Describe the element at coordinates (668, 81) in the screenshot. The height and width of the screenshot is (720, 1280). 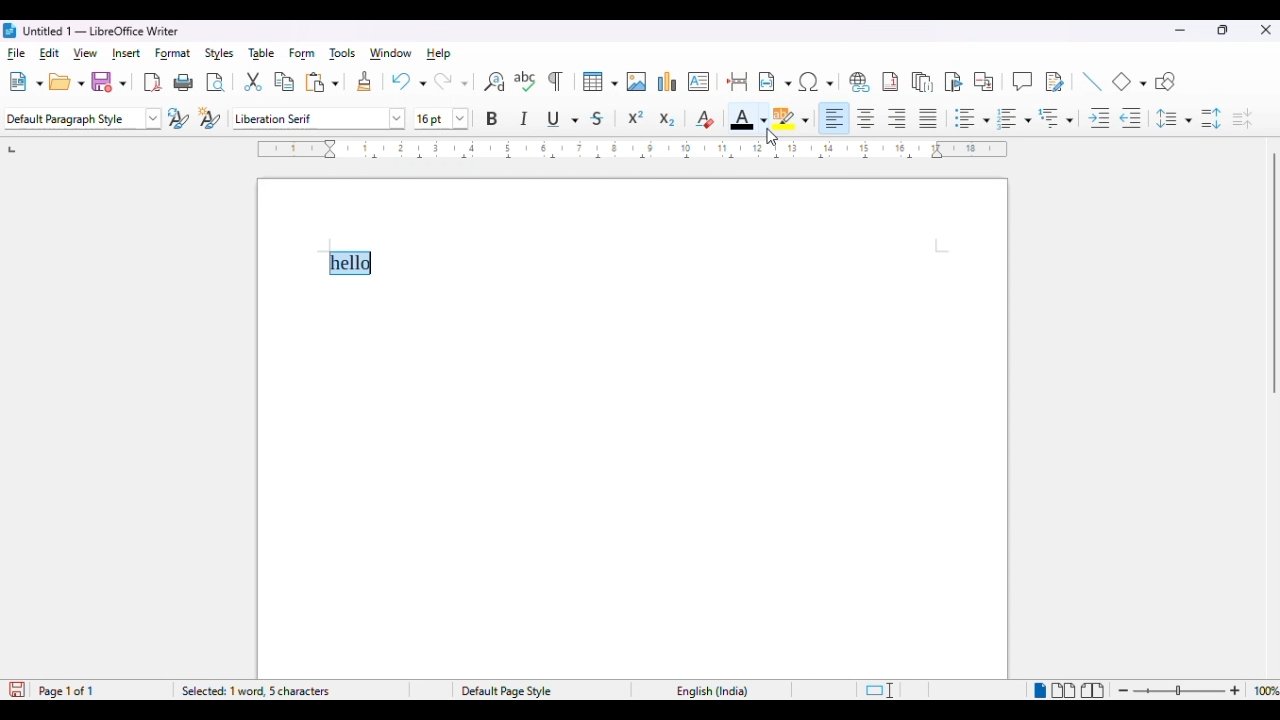
I see `insert chart` at that location.